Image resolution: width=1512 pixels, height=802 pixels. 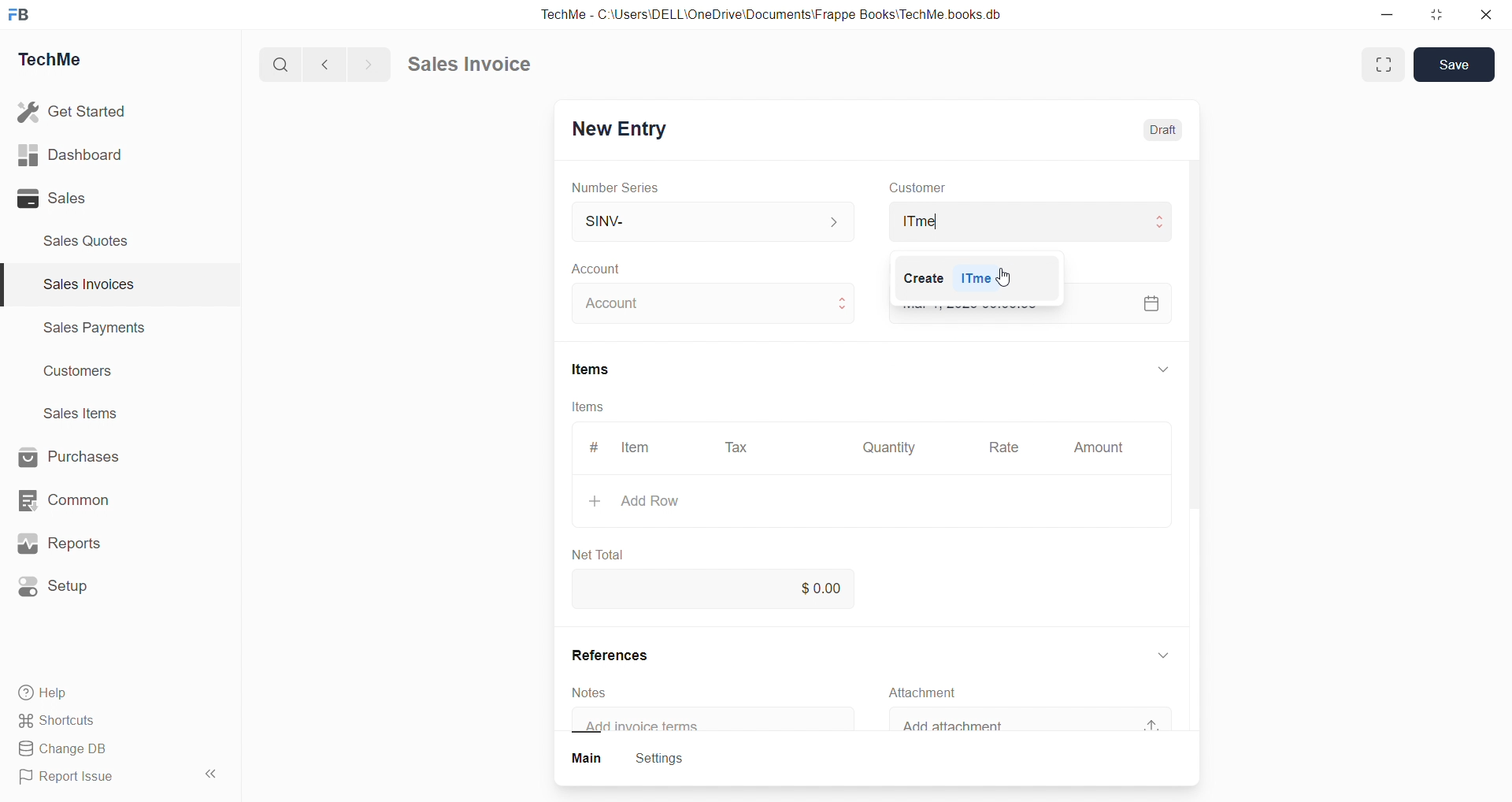 What do you see at coordinates (74, 110) in the screenshot?
I see `& Get Started` at bounding box center [74, 110].